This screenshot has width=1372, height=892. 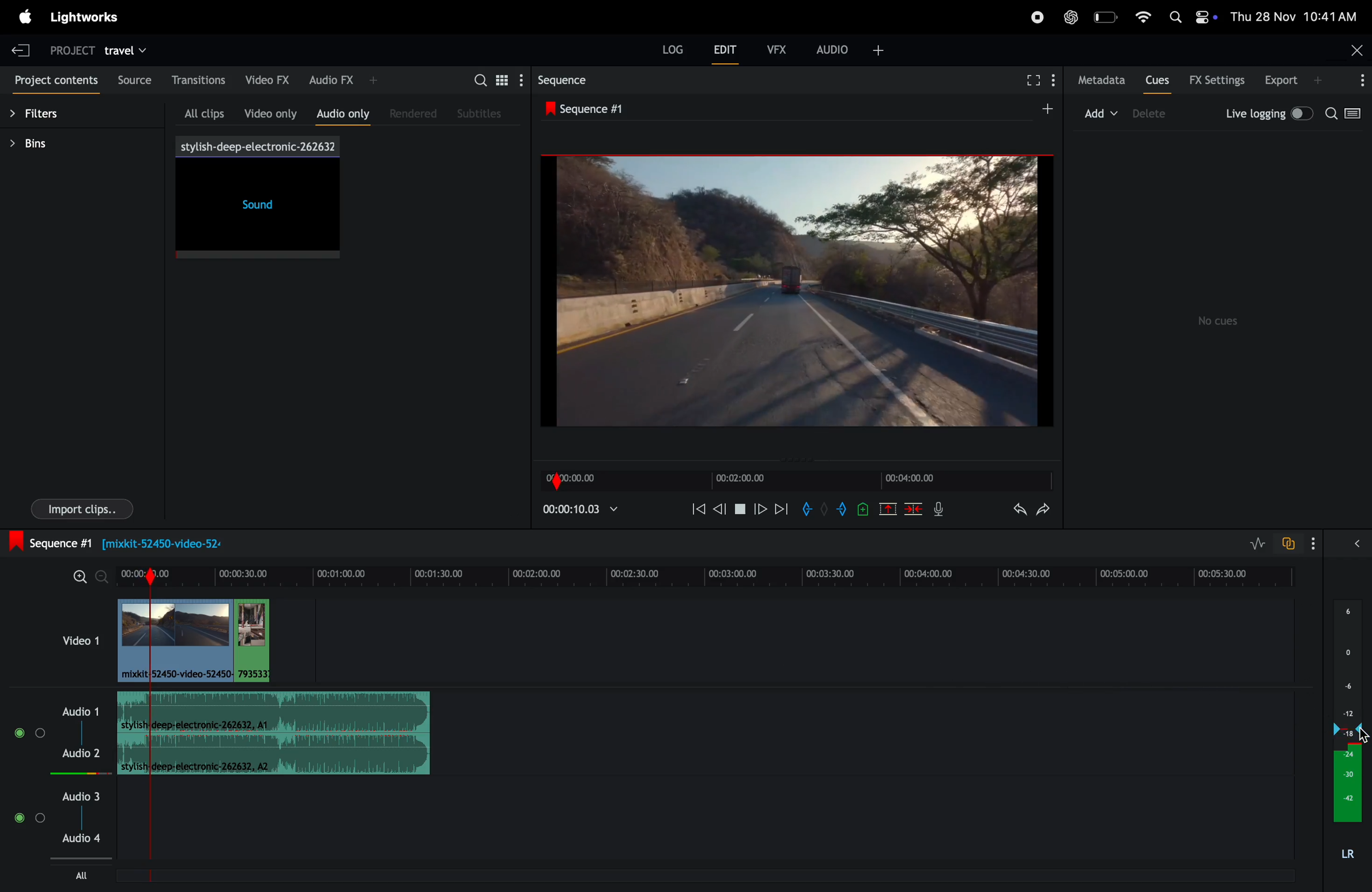 What do you see at coordinates (911, 511) in the screenshot?
I see `delete` at bounding box center [911, 511].